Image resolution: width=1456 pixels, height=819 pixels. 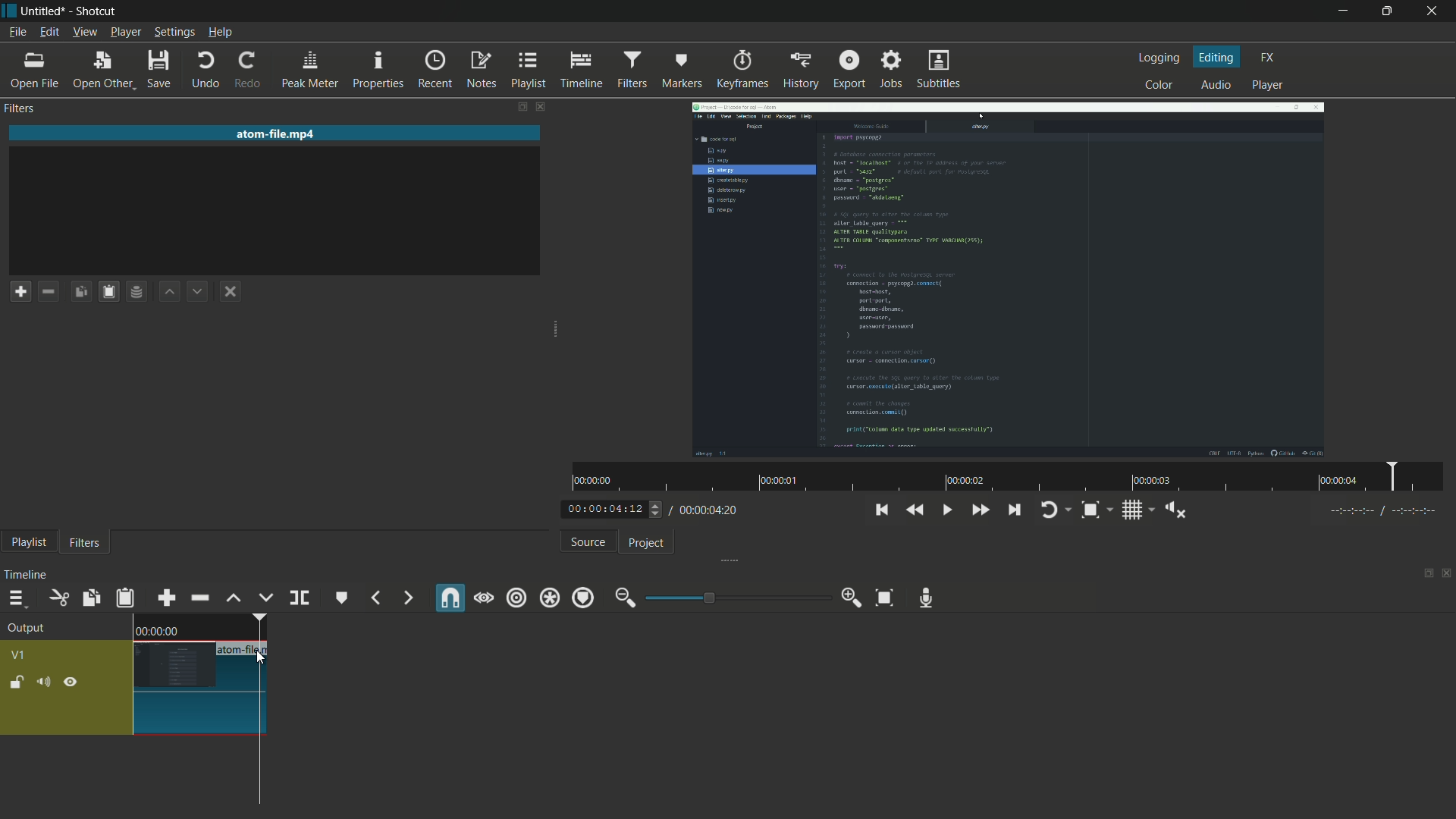 What do you see at coordinates (1049, 510) in the screenshot?
I see `toggle player logging` at bounding box center [1049, 510].